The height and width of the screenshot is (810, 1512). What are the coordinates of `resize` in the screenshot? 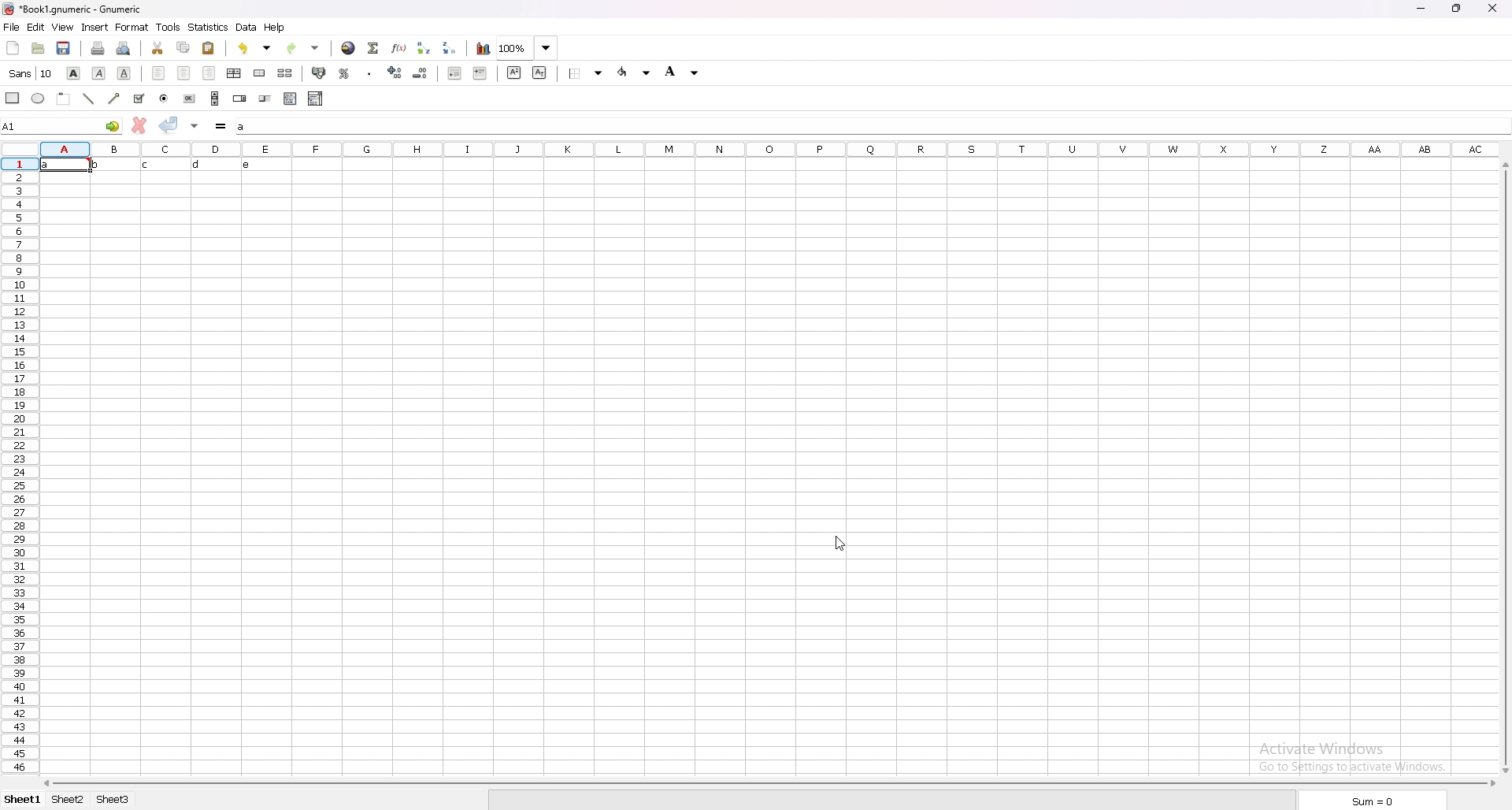 It's located at (1455, 9).